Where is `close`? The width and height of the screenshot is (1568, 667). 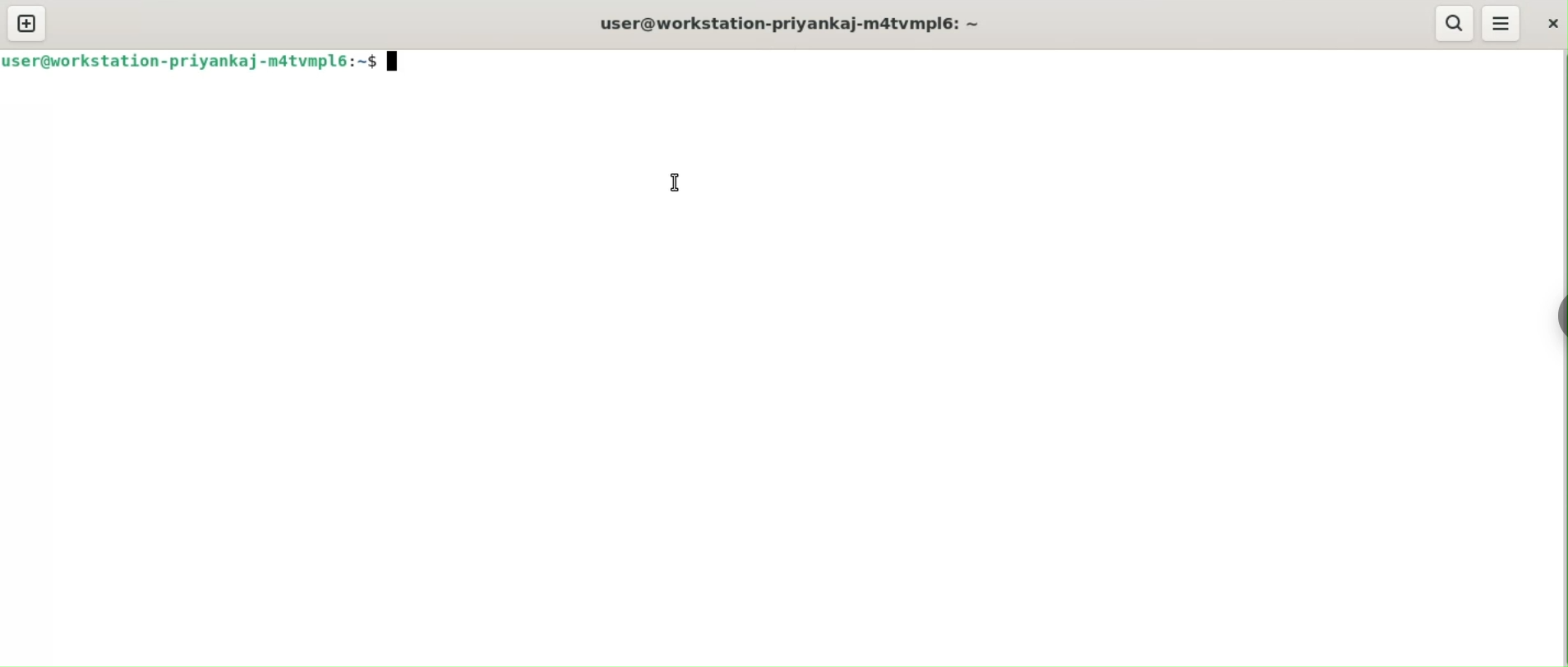
close is located at coordinates (1548, 25).